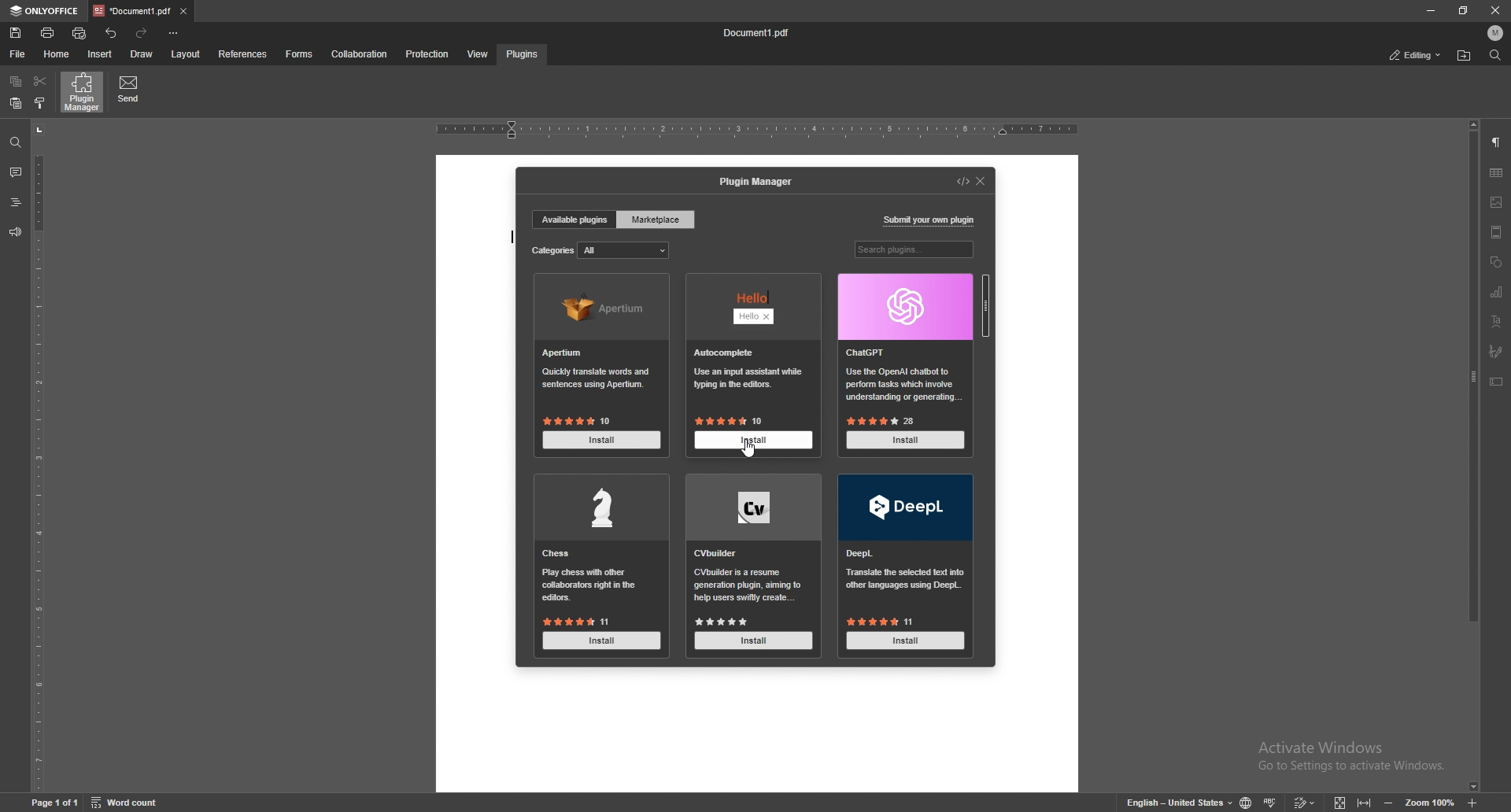  Describe the element at coordinates (1430, 801) in the screenshot. I see `Zoom 100%` at that location.